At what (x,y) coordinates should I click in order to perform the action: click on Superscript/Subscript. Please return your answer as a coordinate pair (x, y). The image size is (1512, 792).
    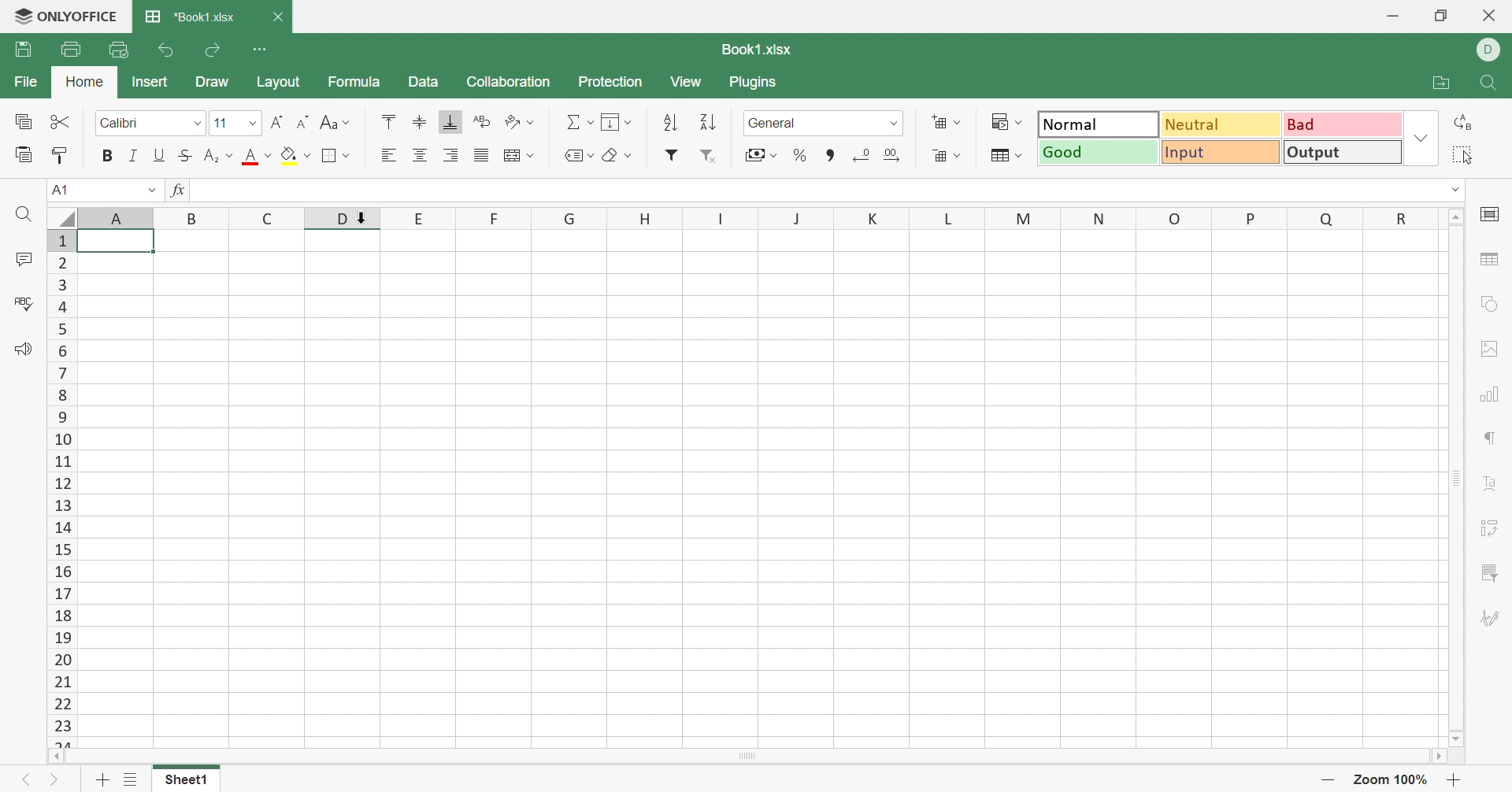
    Looking at the image, I should click on (212, 156).